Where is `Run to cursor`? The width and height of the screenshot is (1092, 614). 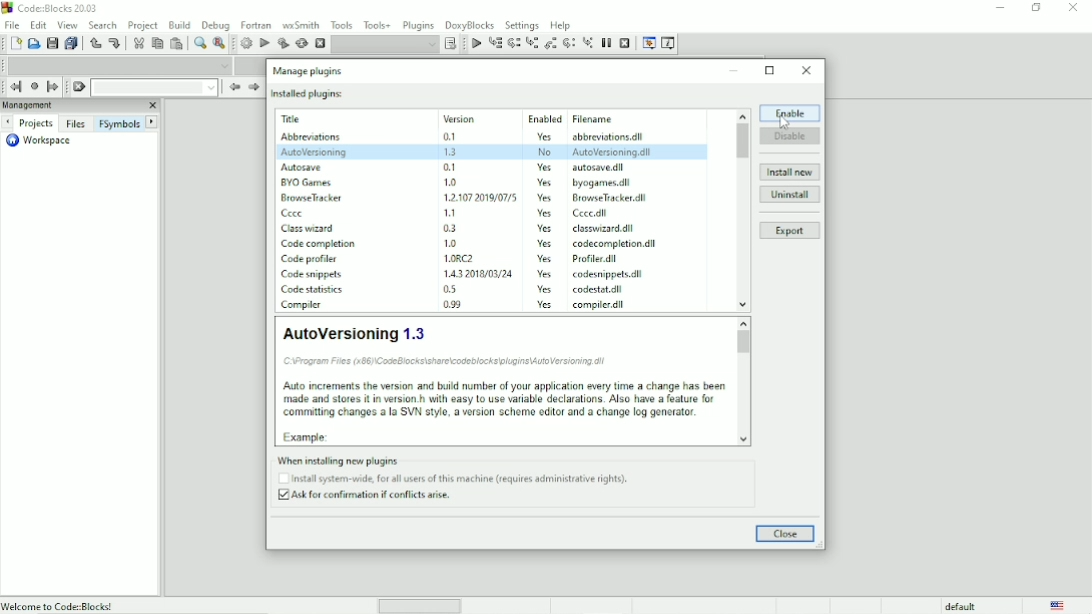
Run to cursor is located at coordinates (495, 43).